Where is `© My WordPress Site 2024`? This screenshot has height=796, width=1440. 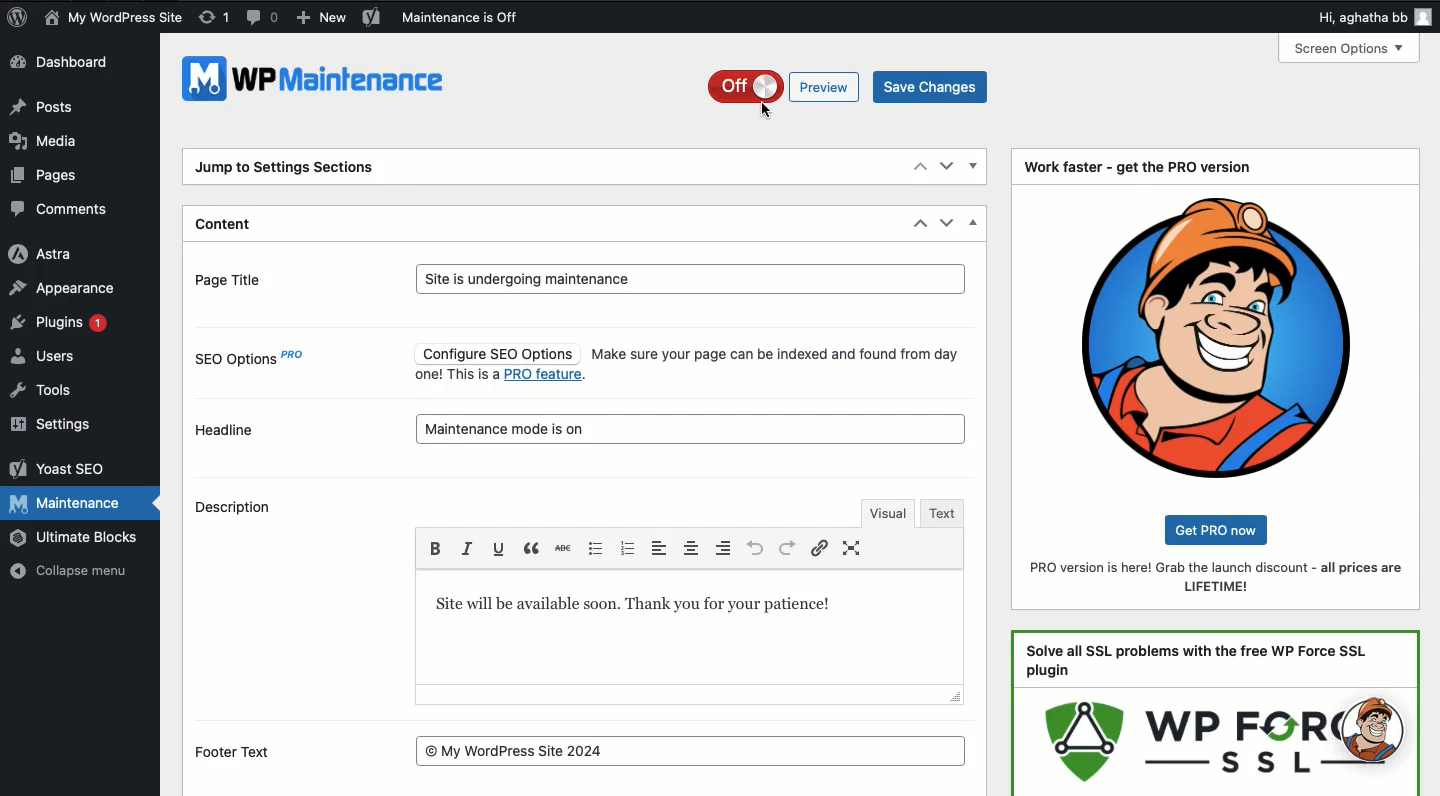
© My WordPress Site 2024 is located at coordinates (692, 750).